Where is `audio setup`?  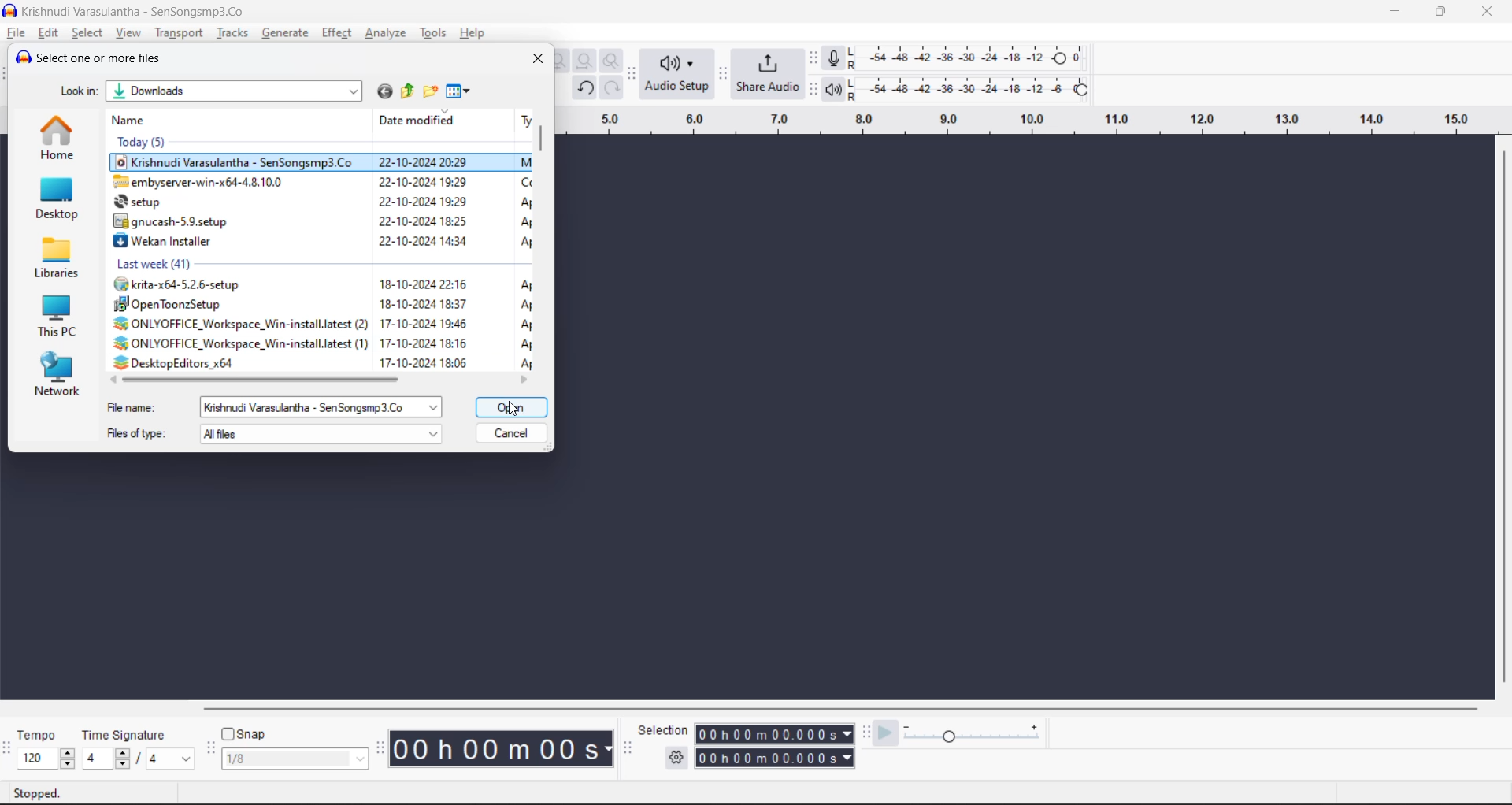 audio setup is located at coordinates (677, 75).